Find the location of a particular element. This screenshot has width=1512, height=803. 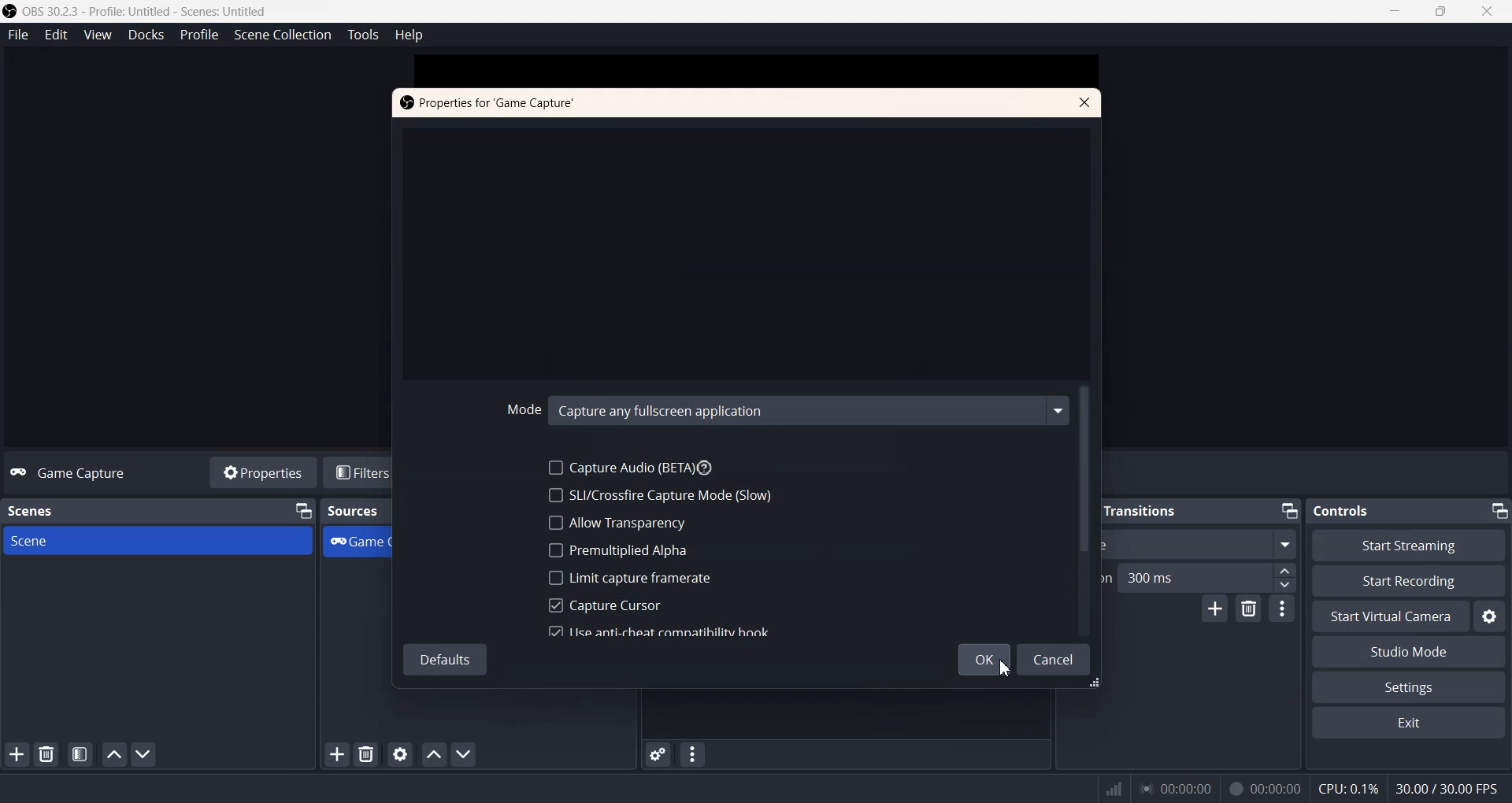

Cursor is located at coordinates (1003, 668).